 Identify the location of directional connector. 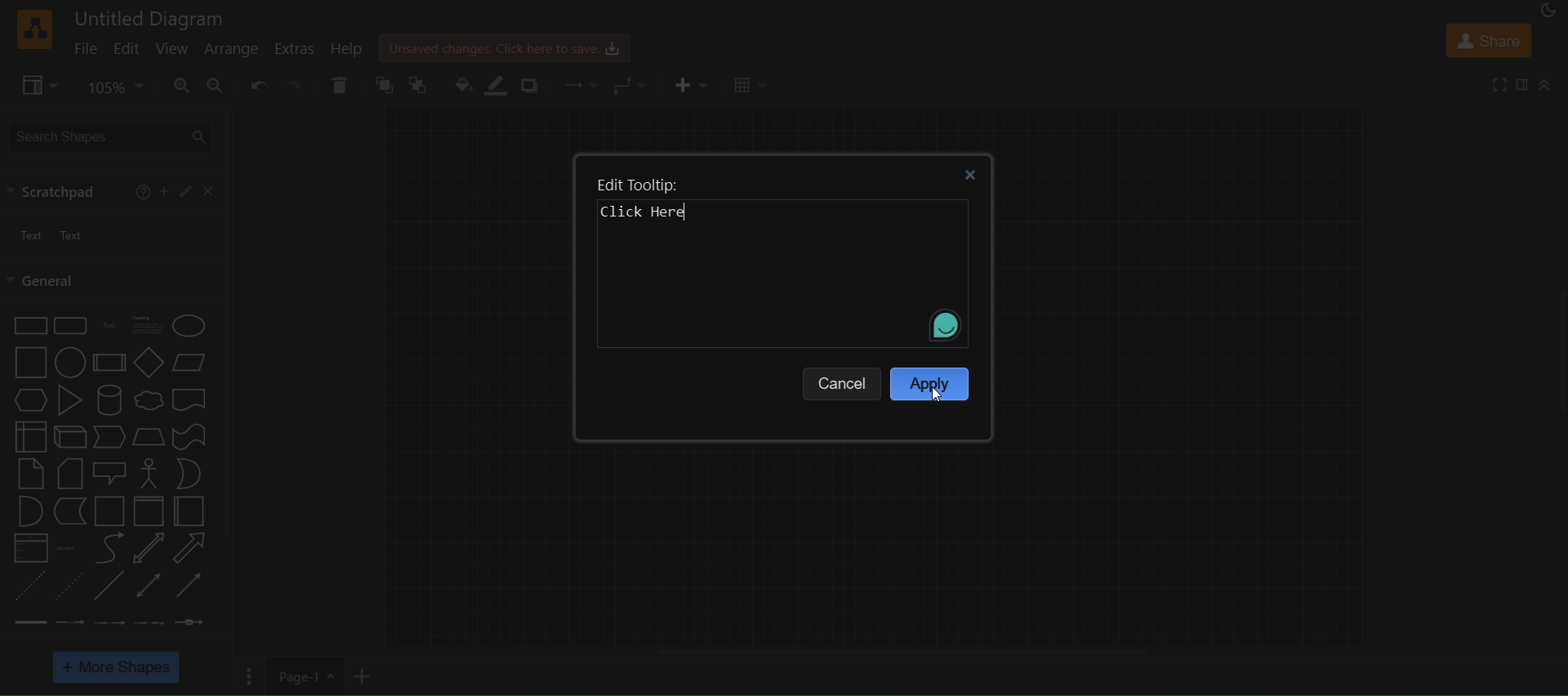
(189, 586).